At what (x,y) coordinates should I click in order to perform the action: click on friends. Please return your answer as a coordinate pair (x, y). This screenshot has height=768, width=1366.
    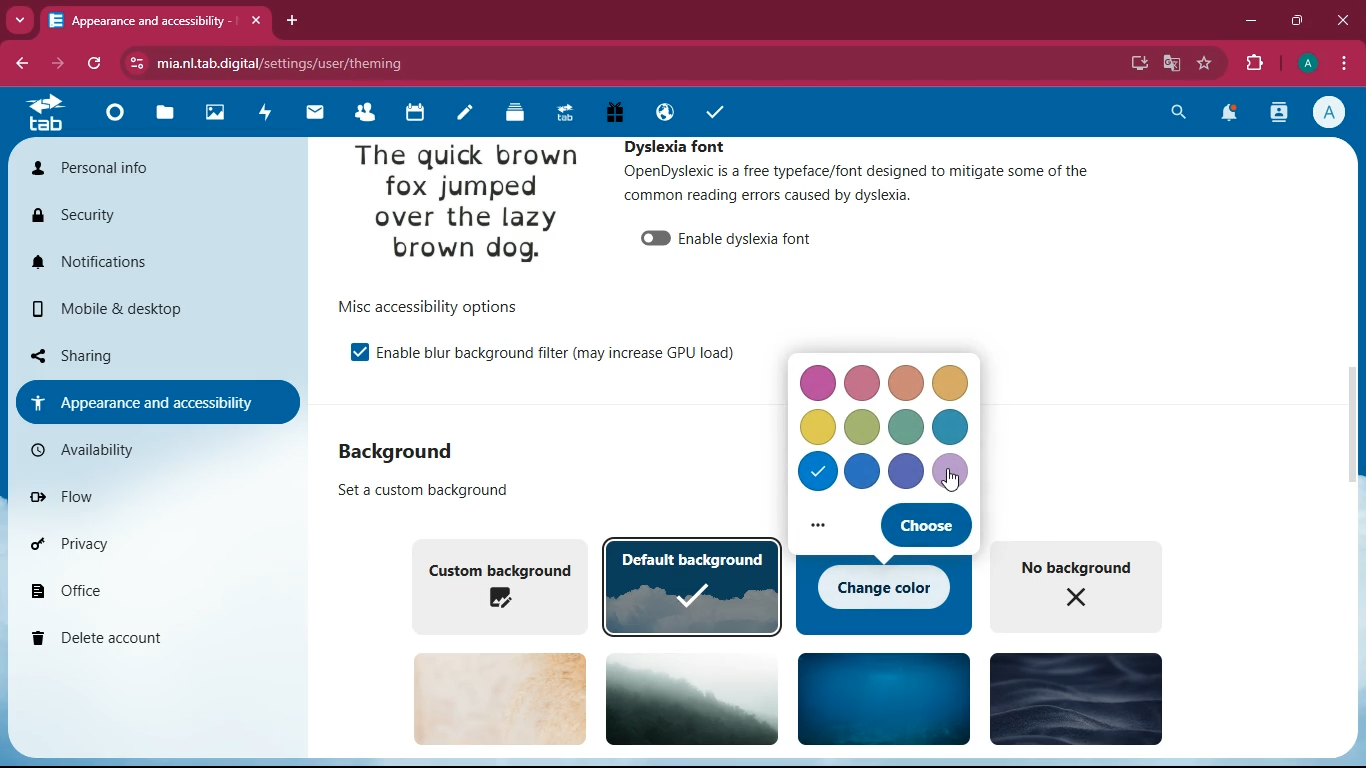
    Looking at the image, I should click on (361, 112).